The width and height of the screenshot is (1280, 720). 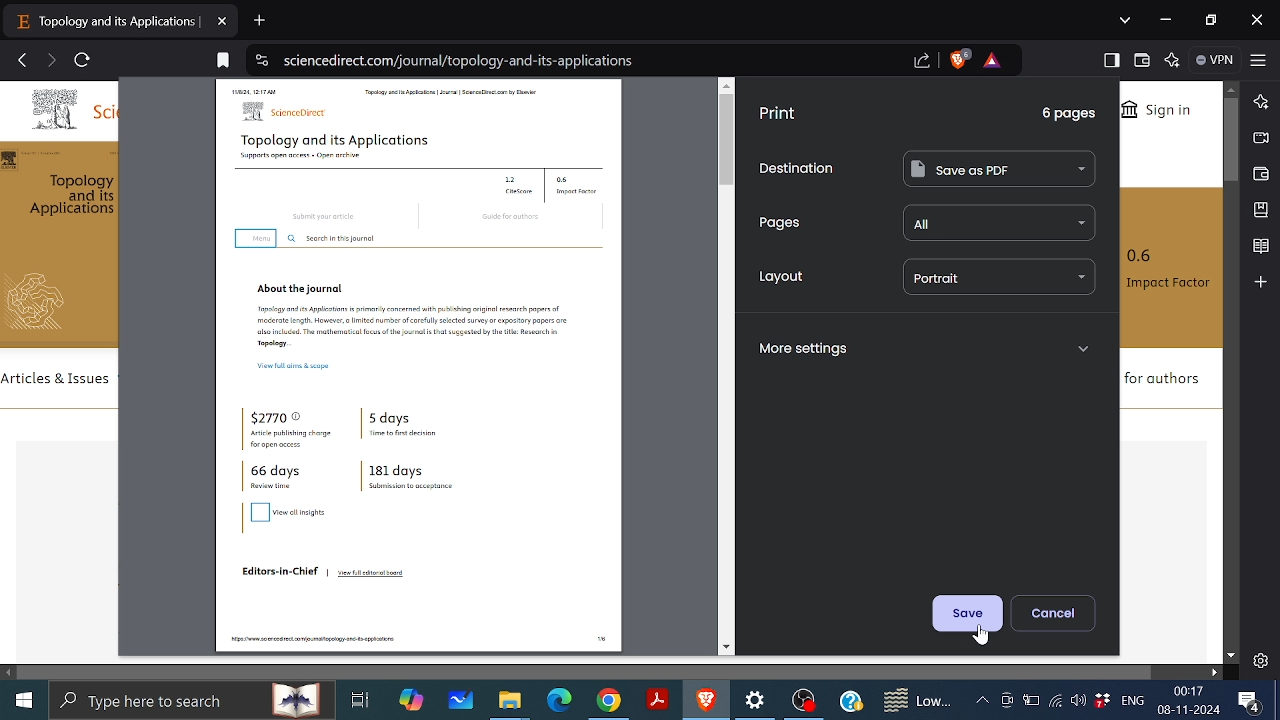 I want to click on move down, so click(x=726, y=647).